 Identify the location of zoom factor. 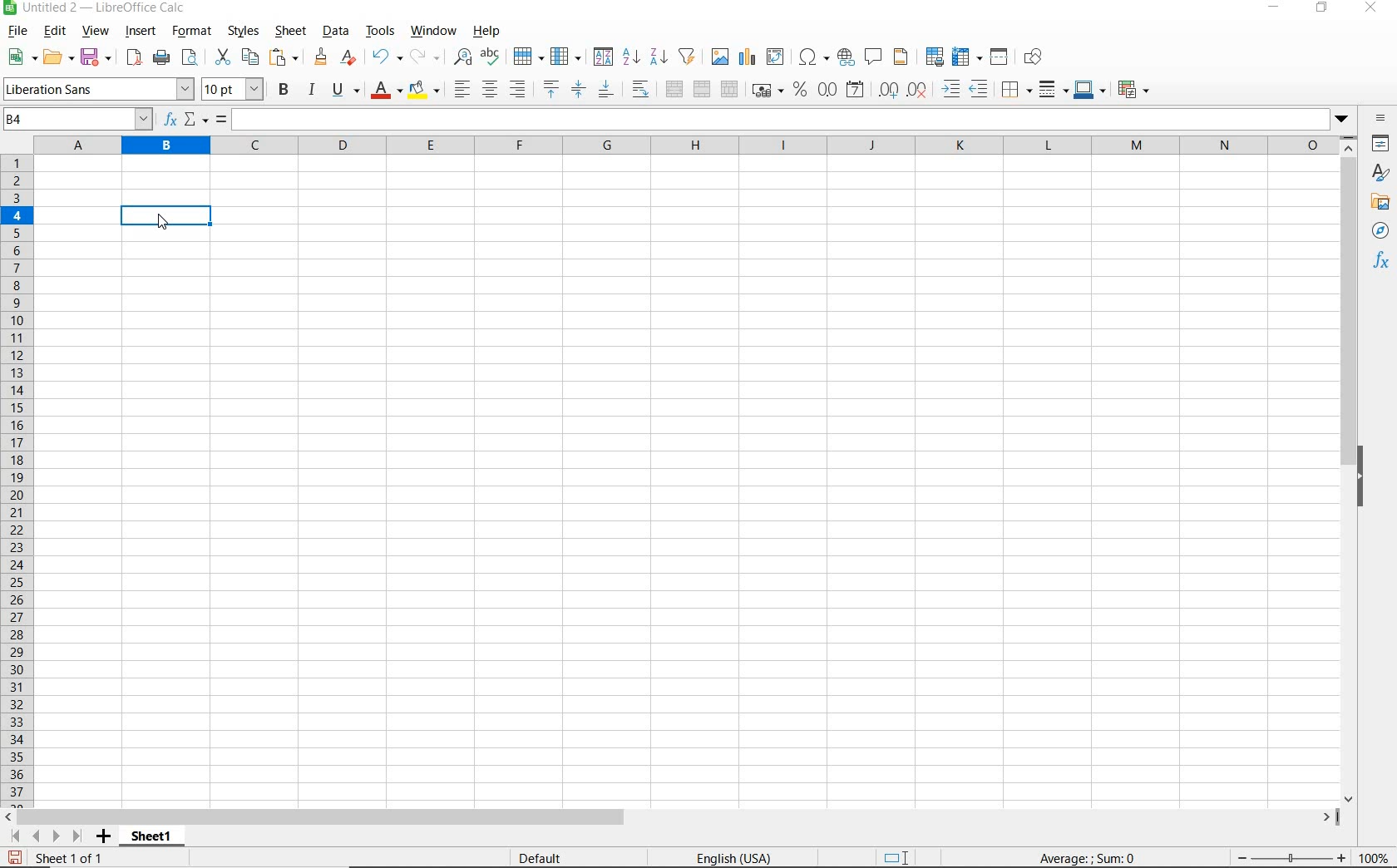
(1374, 860).